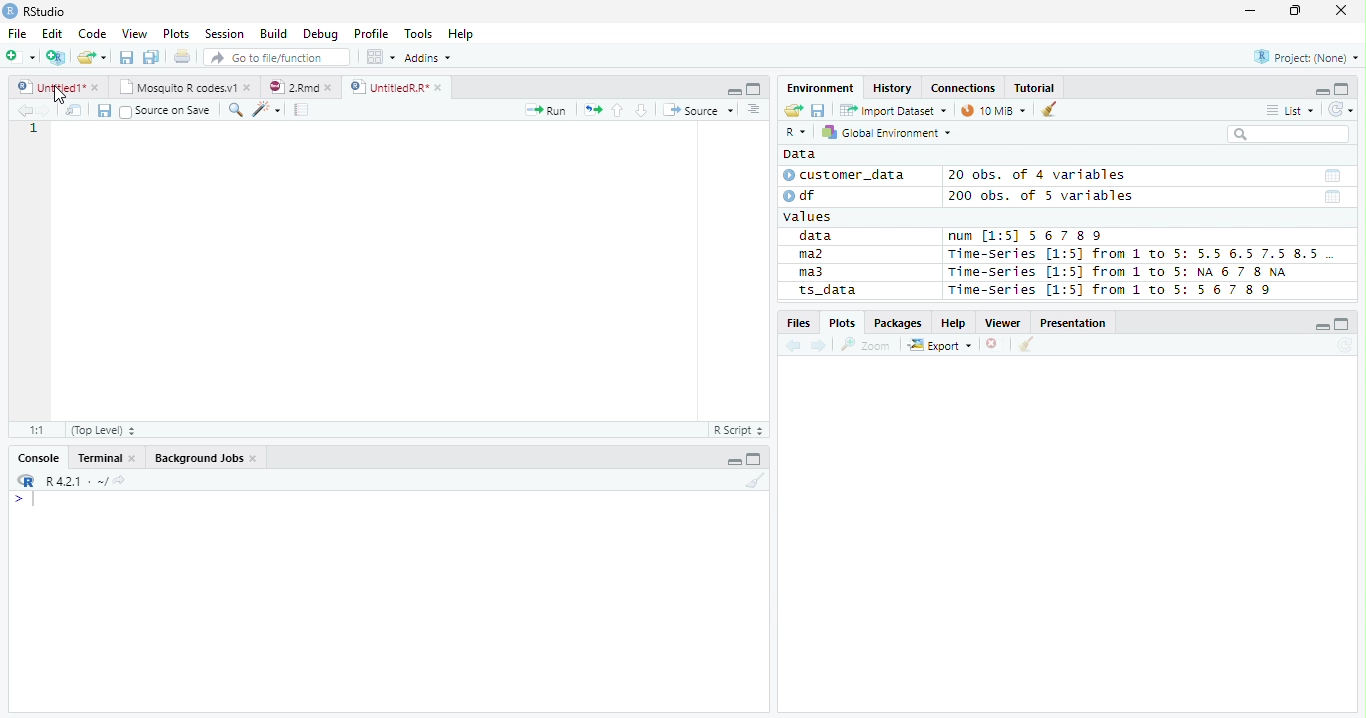 This screenshot has width=1366, height=718. Describe the element at coordinates (819, 237) in the screenshot. I see `data` at that location.